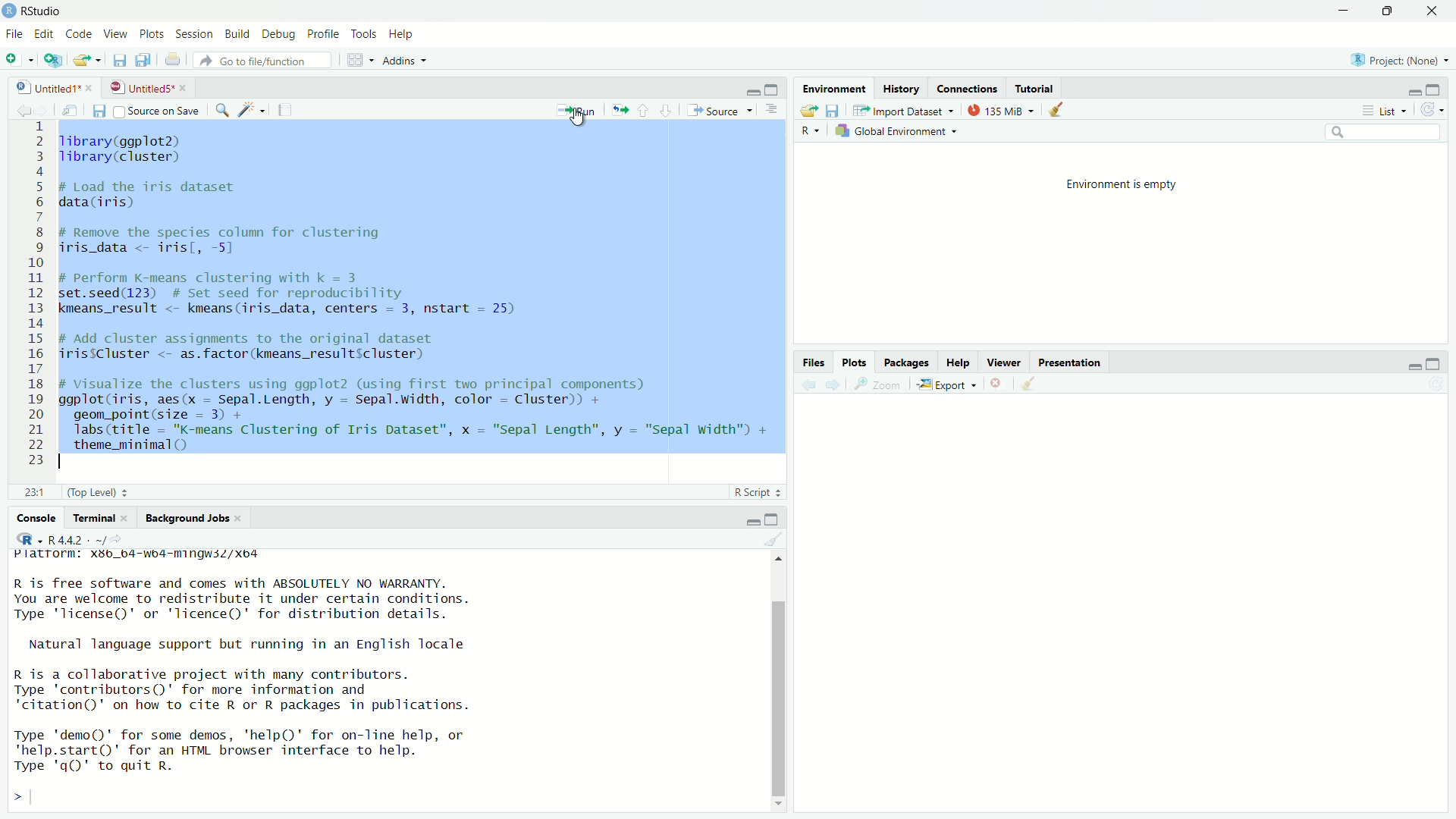 This screenshot has width=1456, height=819. I want to click on compile report, so click(285, 111).